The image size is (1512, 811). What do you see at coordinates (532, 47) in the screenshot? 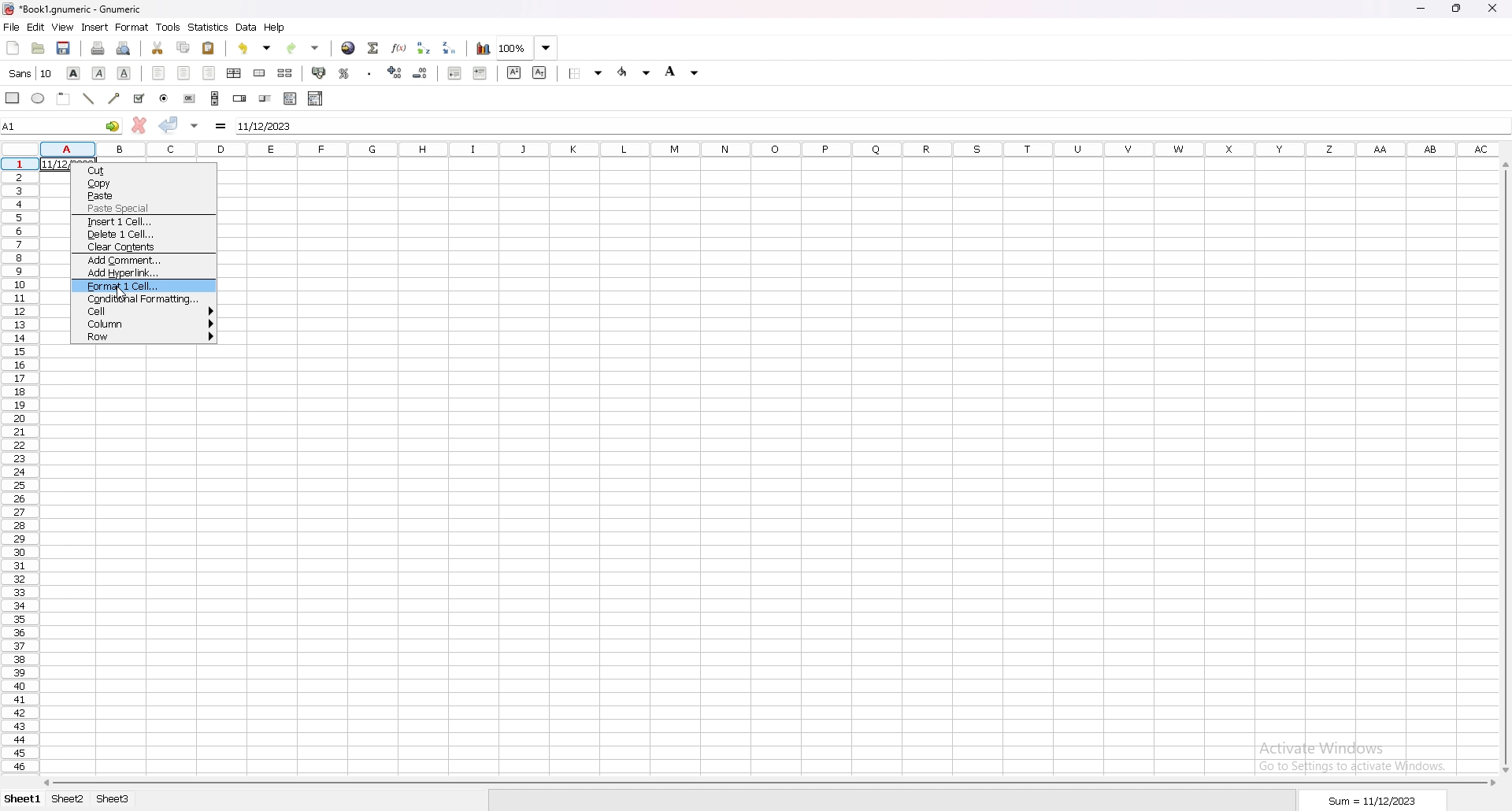
I see `zoom` at bounding box center [532, 47].